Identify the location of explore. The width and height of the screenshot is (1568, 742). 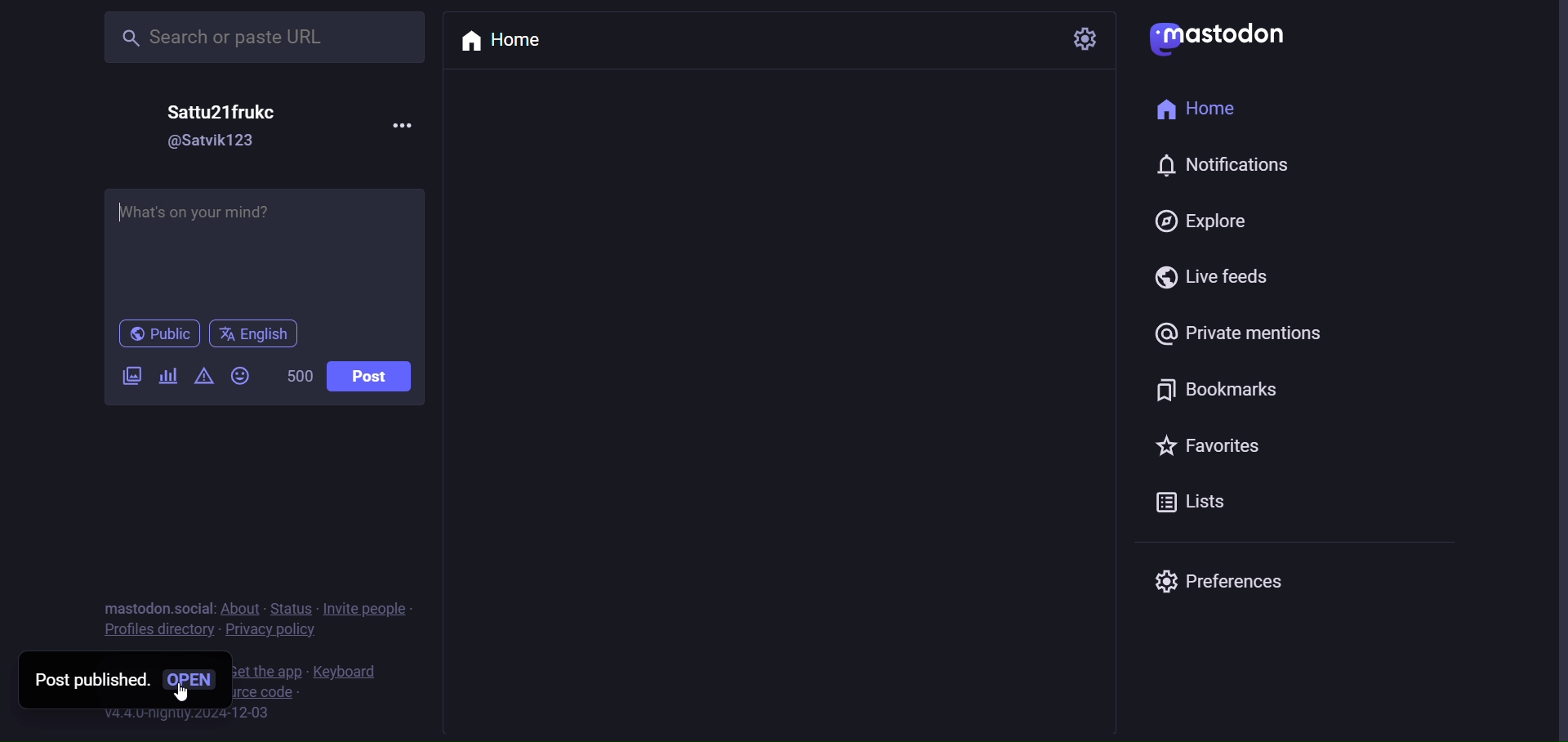
(1203, 223).